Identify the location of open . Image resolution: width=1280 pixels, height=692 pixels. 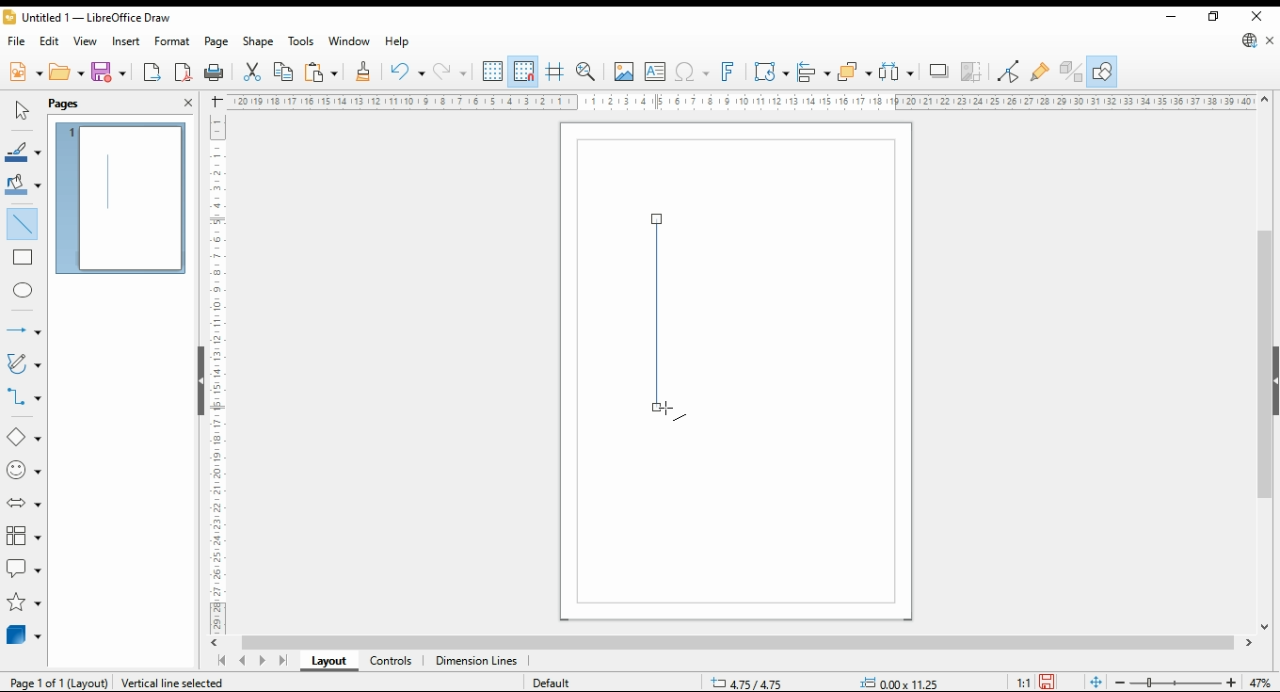
(67, 72).